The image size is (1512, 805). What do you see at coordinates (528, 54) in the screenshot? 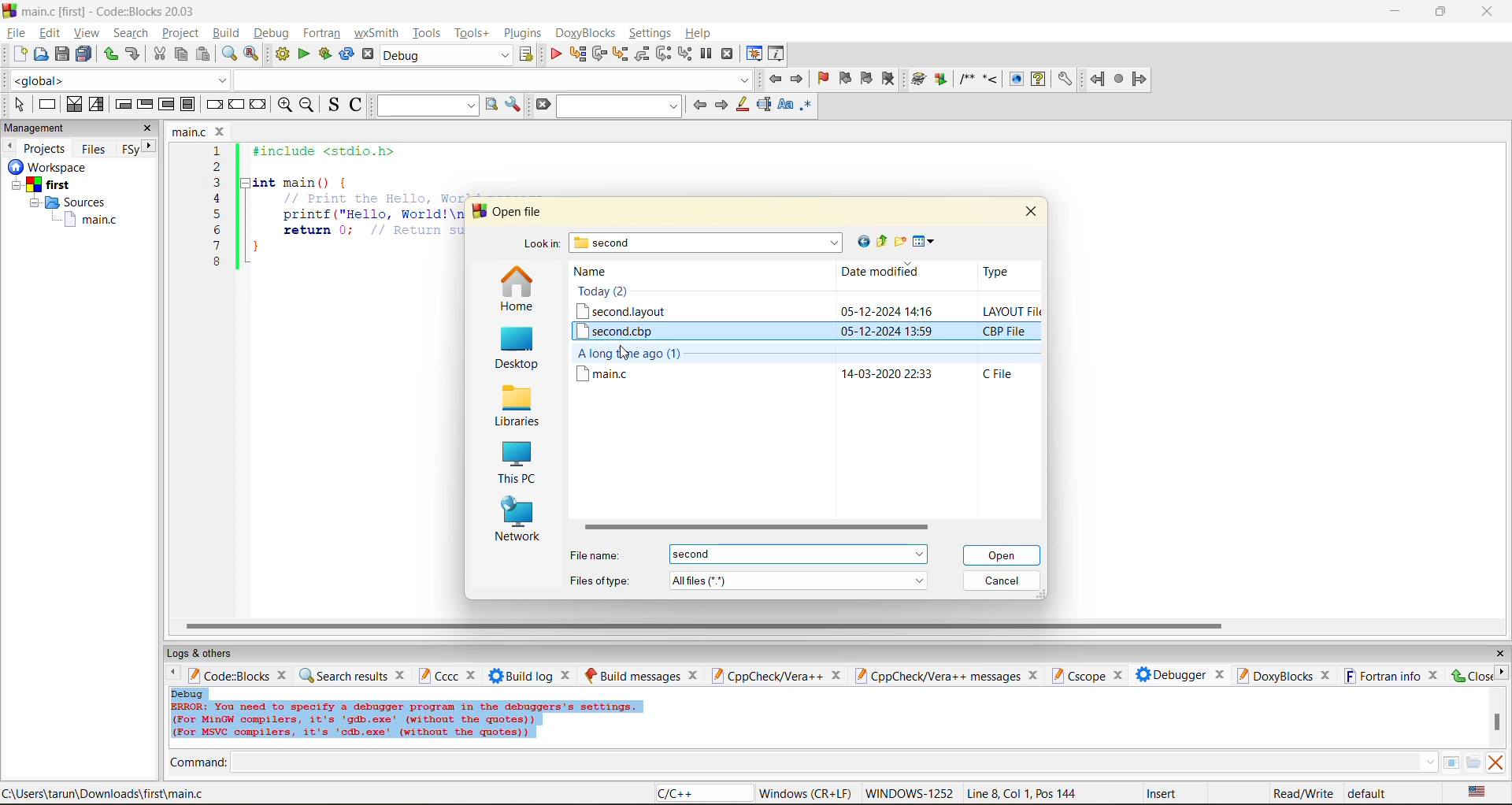
I see `show the select target dialog` at bounding box center [528, 54].